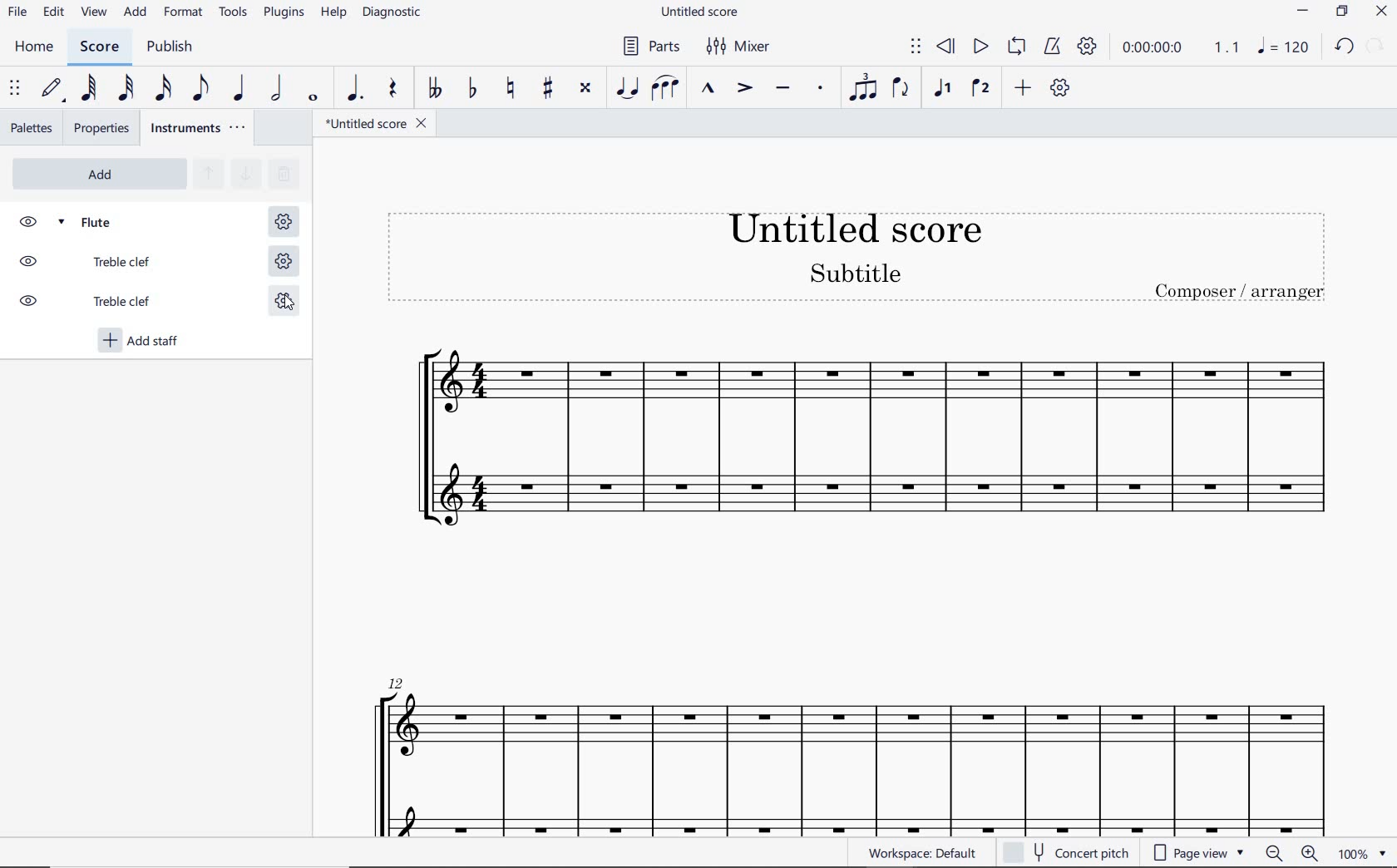 The height and width of the screenshot is (868, 1397). What do you see at coordinates (244, 172) in the screenshot?
I see `MOVE SELECTED INSTRUMENT DOWN` at bounding box center [244, 172].